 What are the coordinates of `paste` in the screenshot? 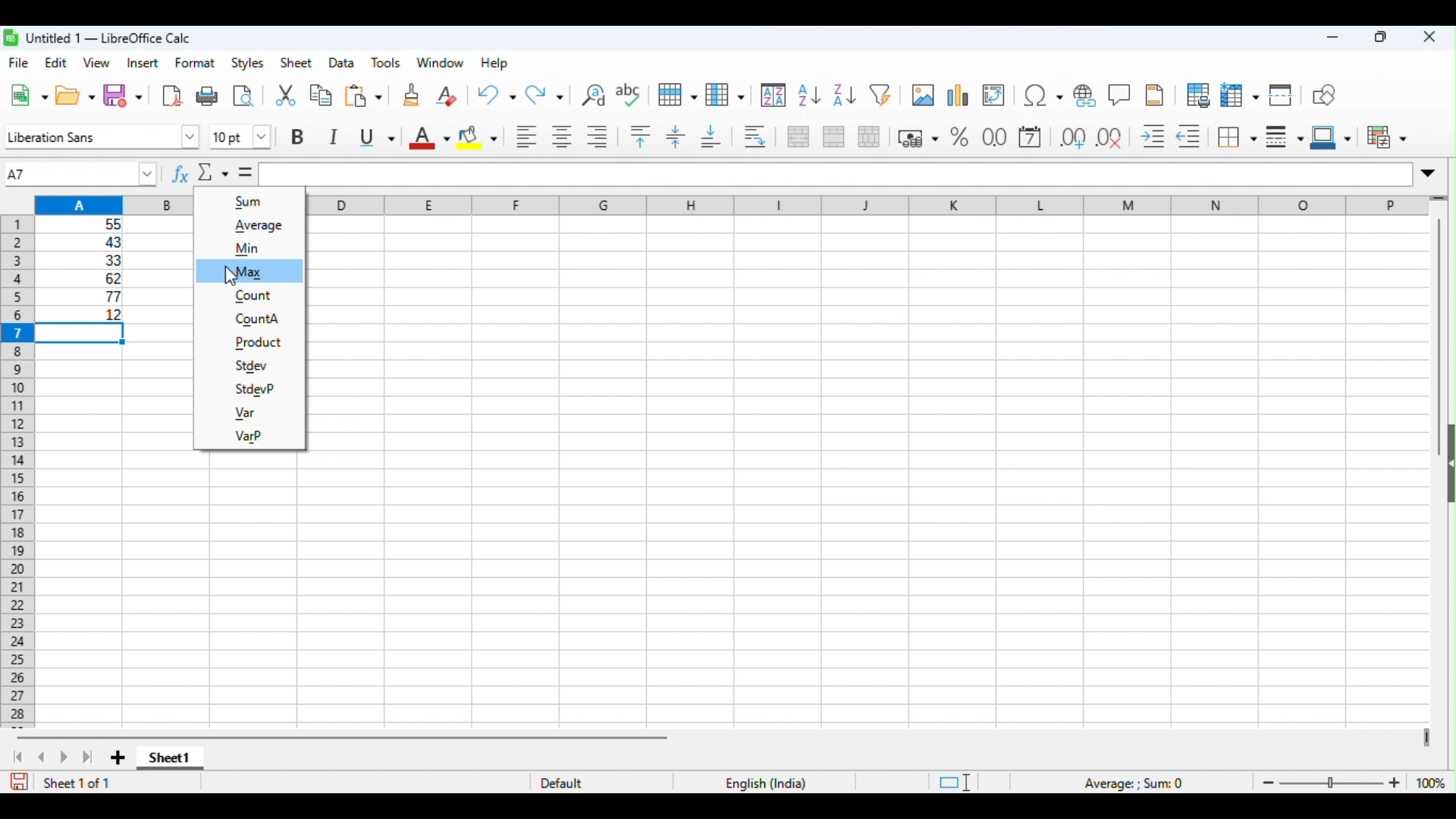 It's located at (362, 96).